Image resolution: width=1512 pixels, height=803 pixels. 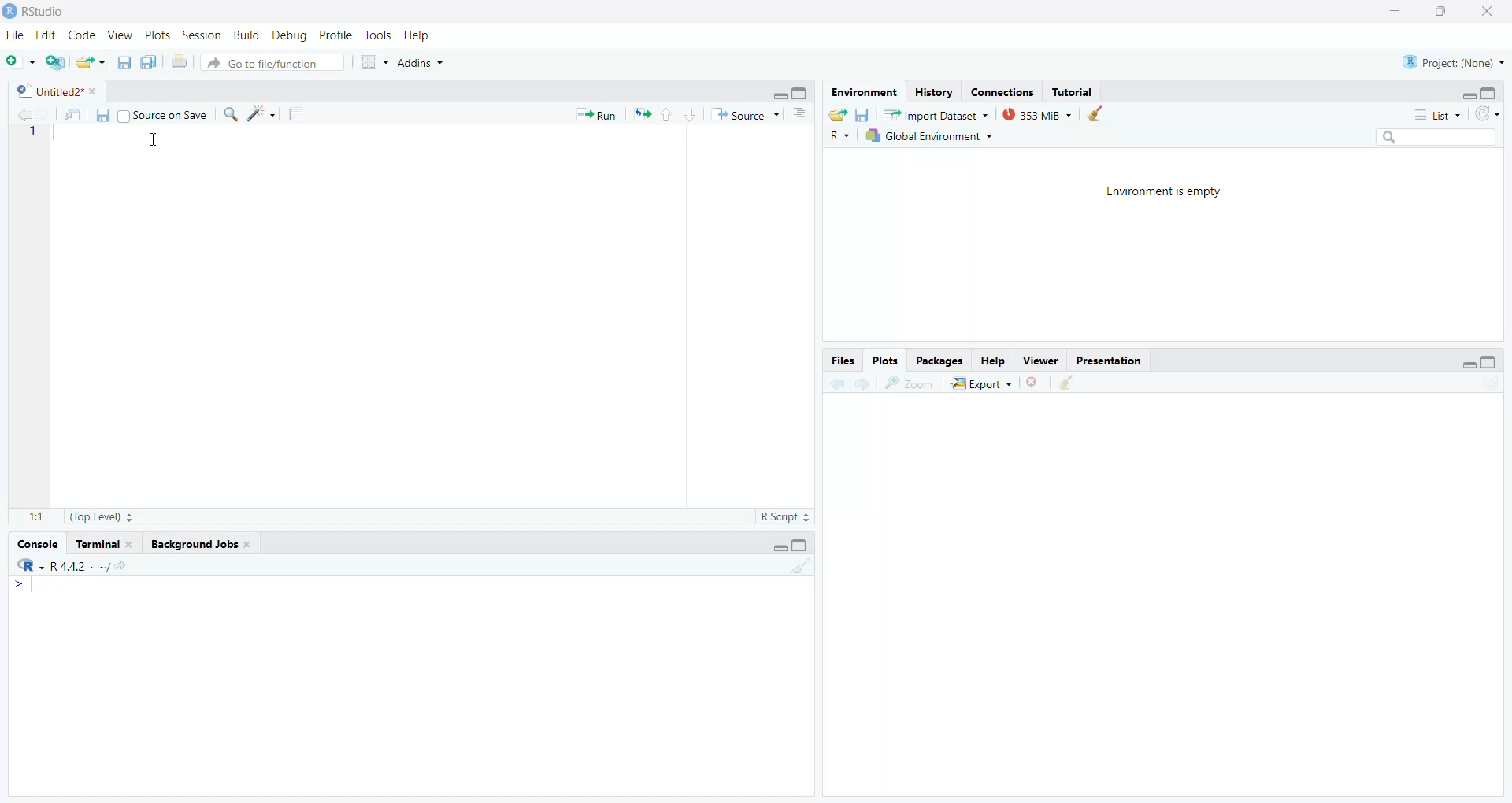 I want to click on View, so click(x=119, y=36).